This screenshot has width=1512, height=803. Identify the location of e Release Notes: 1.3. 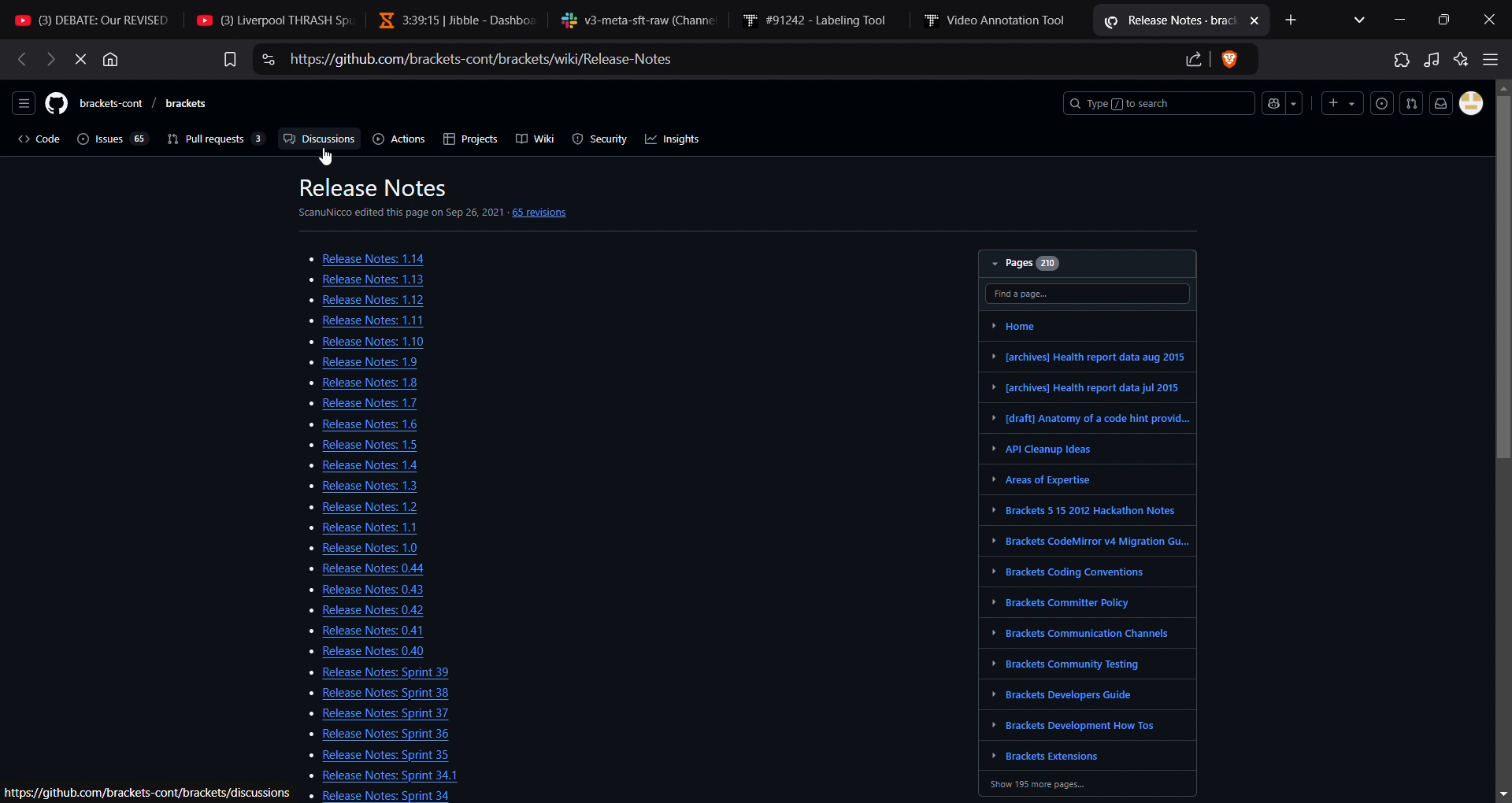
(351, 486).